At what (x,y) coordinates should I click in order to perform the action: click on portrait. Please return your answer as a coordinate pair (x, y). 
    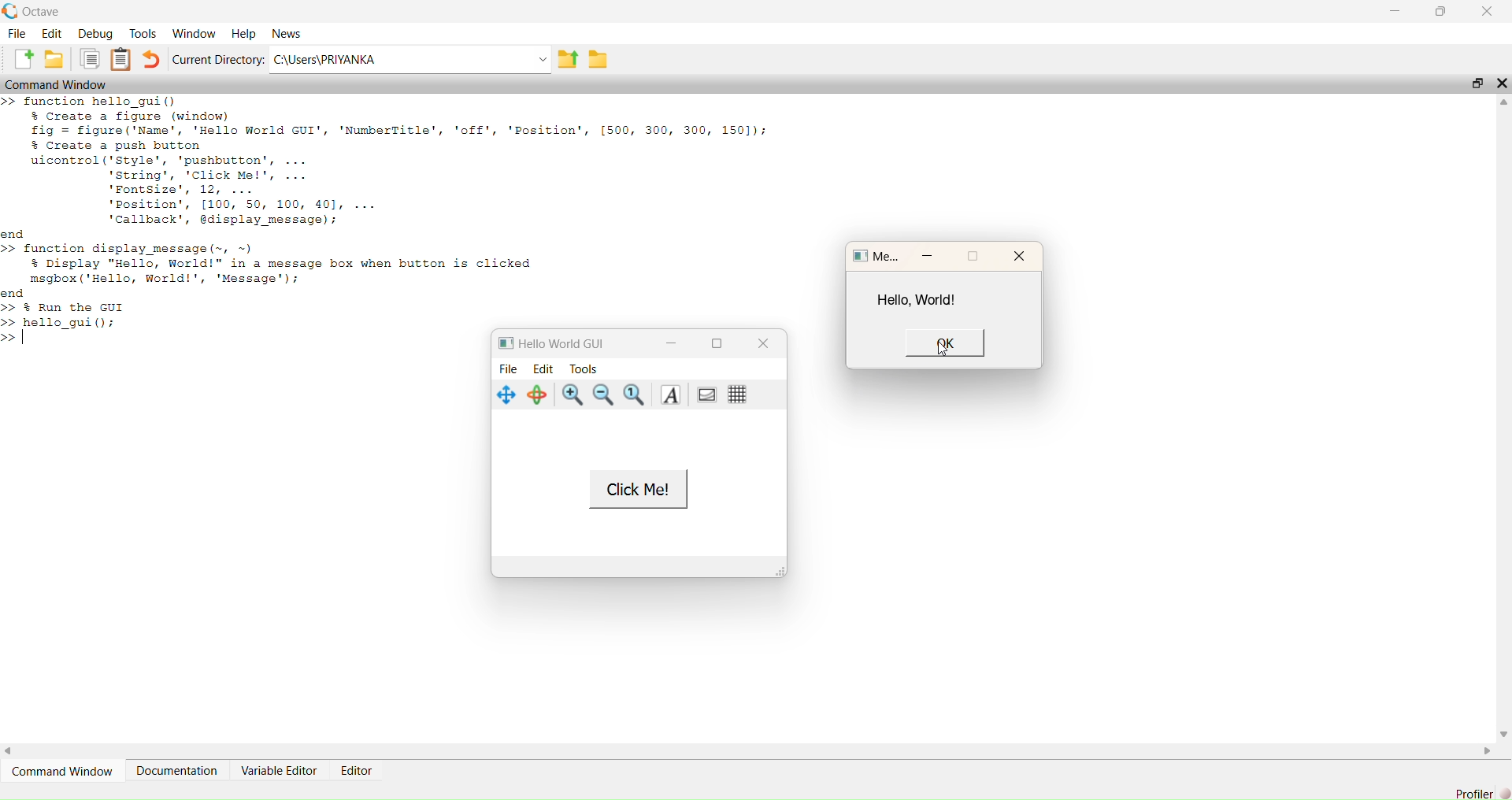
    Looking at the image, I should click on (706, 394).